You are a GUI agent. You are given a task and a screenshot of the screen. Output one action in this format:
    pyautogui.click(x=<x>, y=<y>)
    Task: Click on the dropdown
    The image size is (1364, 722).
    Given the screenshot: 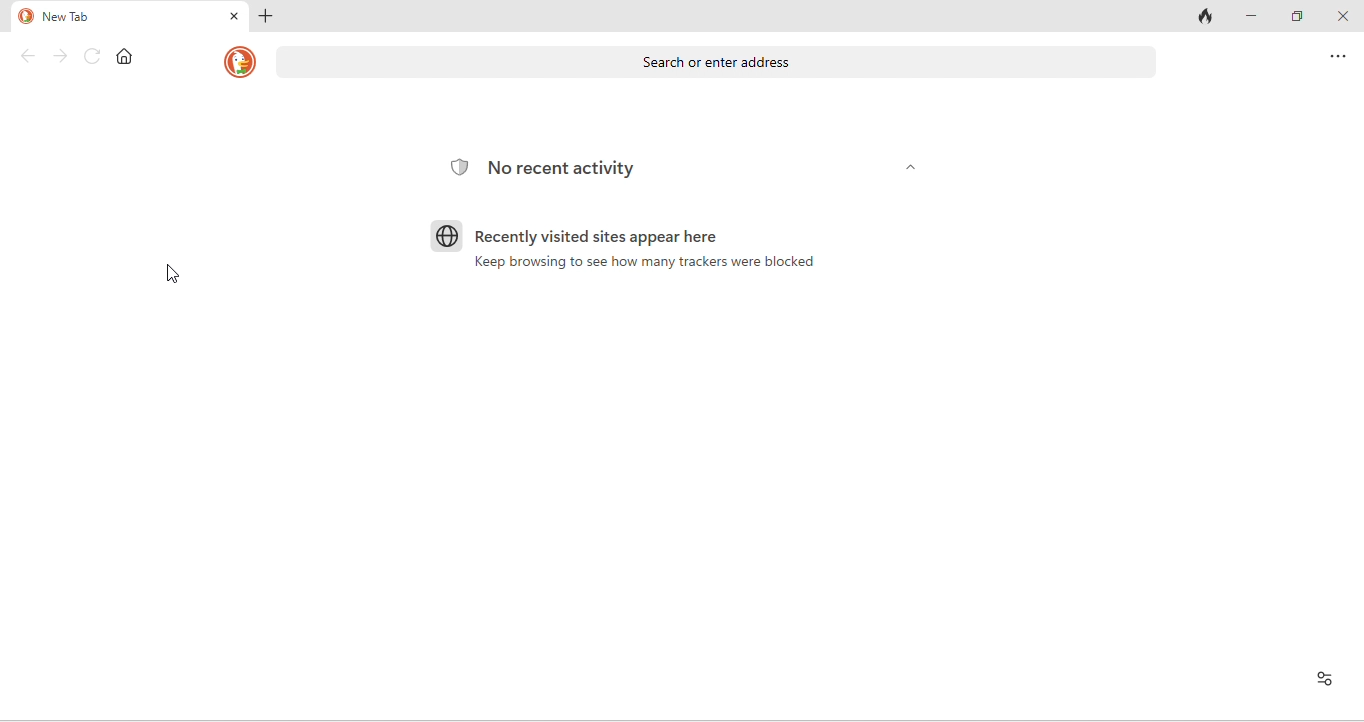 What is the action you would take?
    pyautogui.click(x=910, y=169)
    